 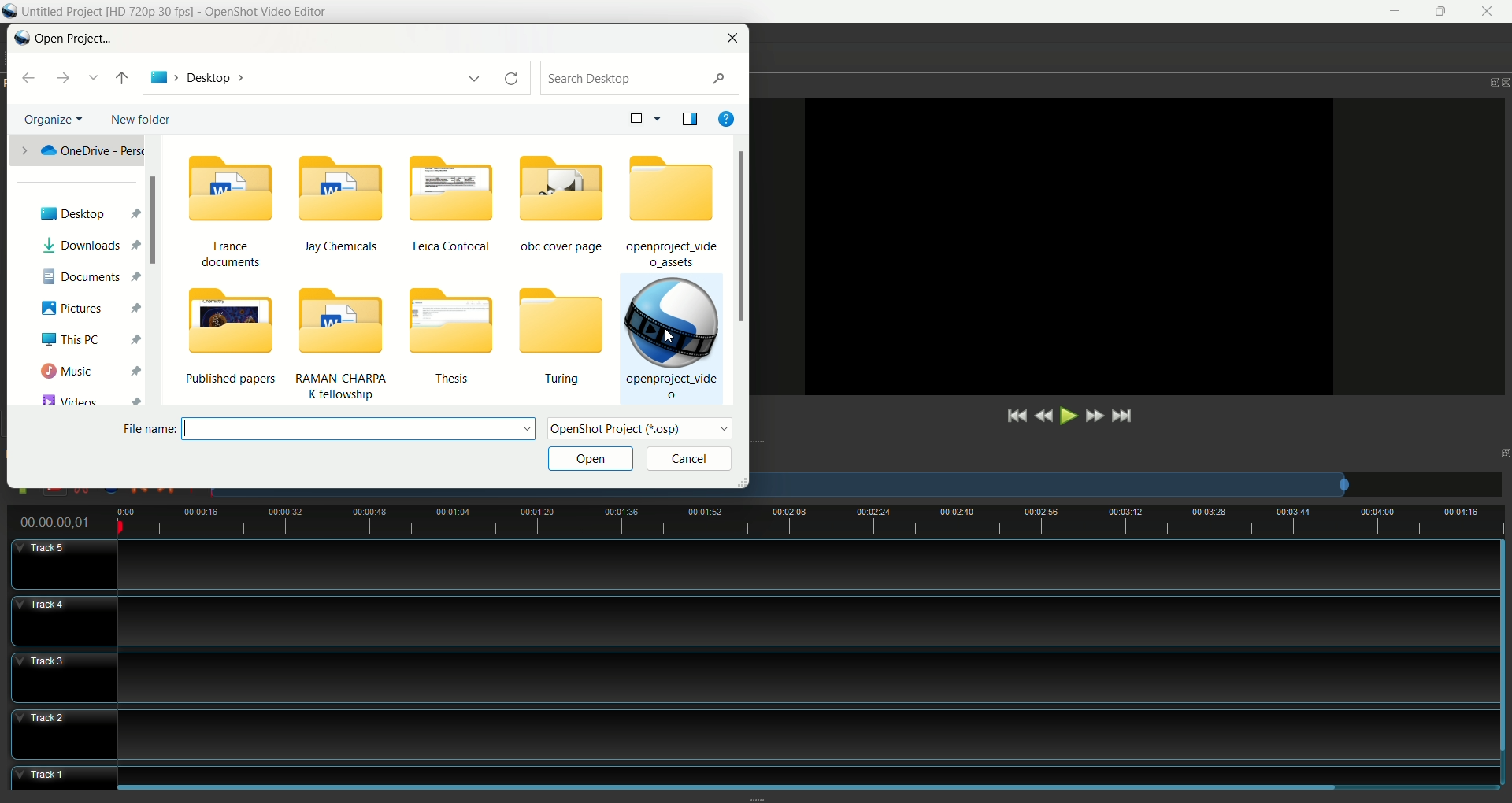 I want to click on track 2, so click(x=754, y=731).